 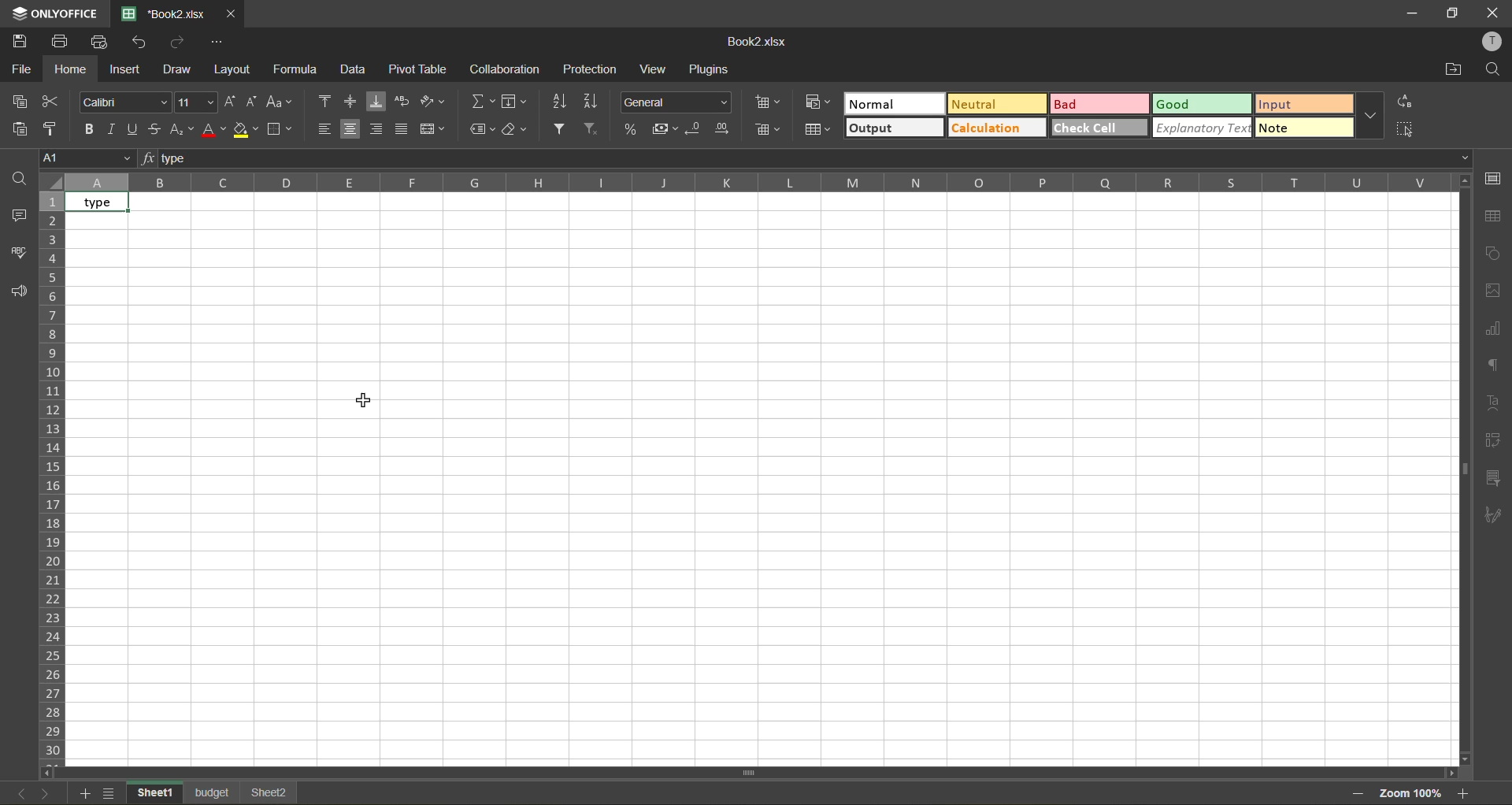 What do you see at coordinates (754, 183) in the screenshot?
I see `column names` at bounding box center [754, 183].